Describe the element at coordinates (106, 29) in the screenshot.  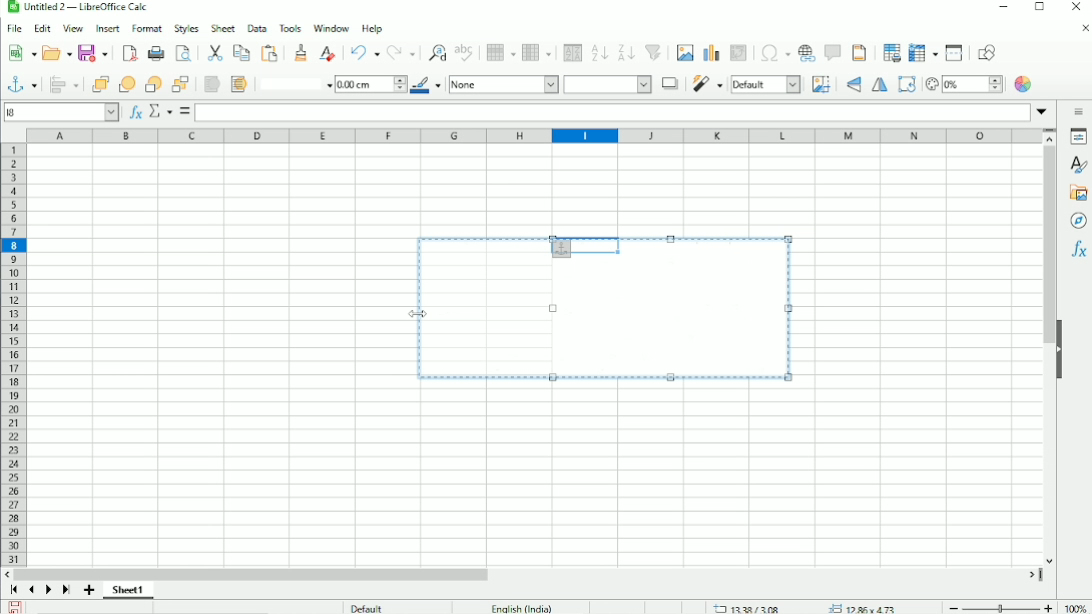
I see `Insert` at that location.